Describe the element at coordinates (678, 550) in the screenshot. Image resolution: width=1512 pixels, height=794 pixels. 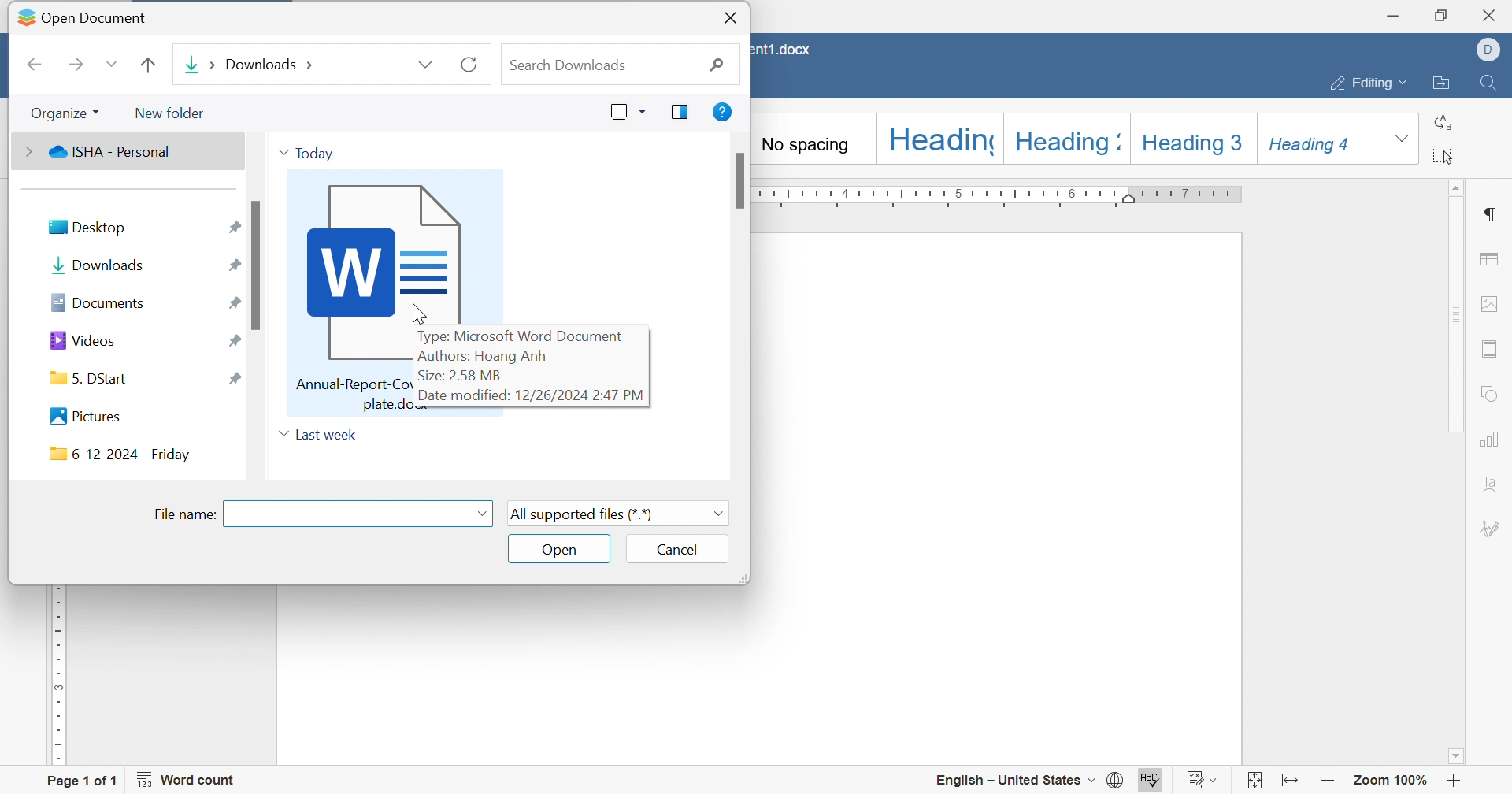
I see `cancel` at that location.